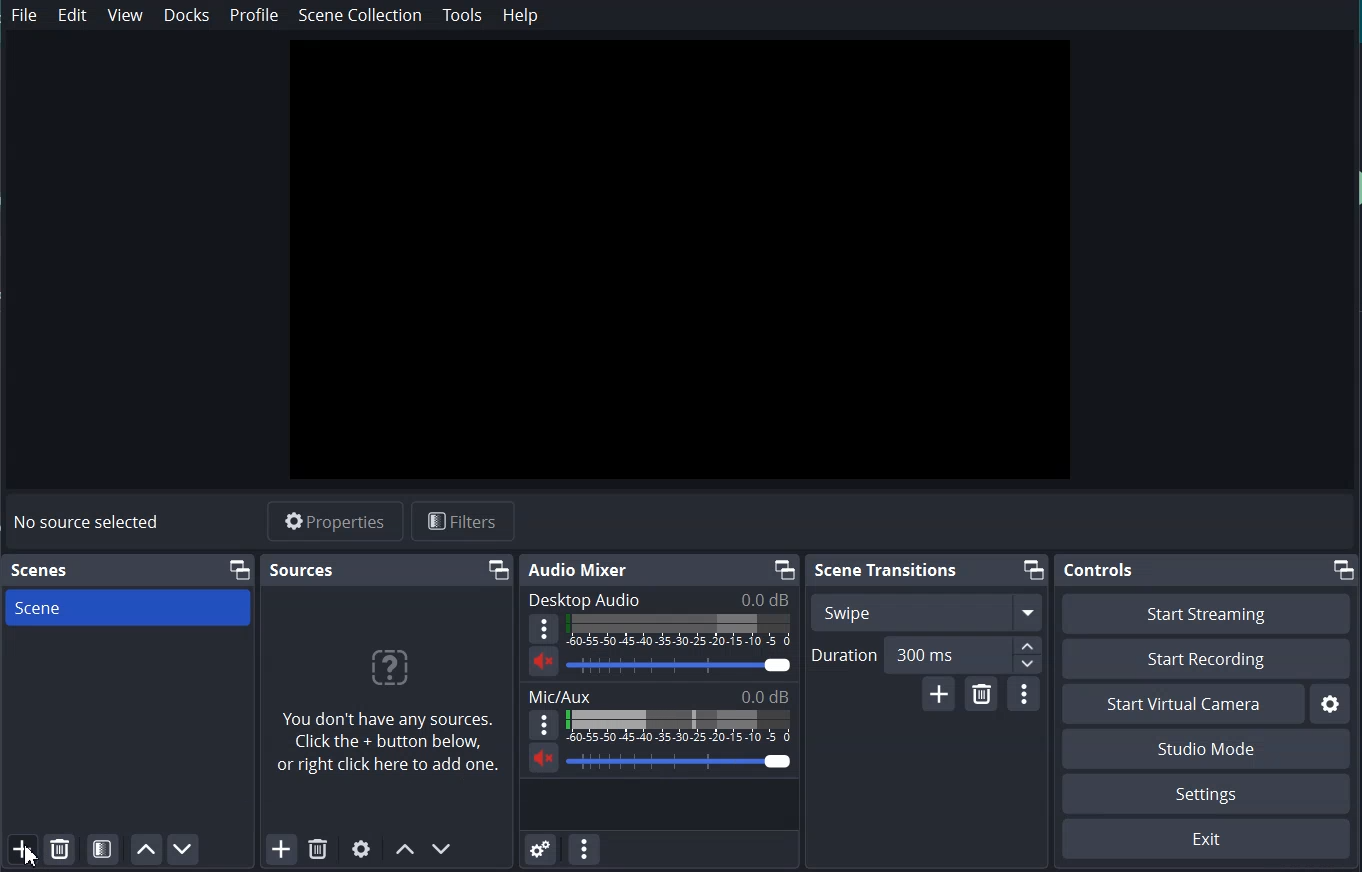 The image size is (1362, 872). Describe the element at coordinates (680, 664) in the screenshot. I see `Volume Adjuster` at that location.